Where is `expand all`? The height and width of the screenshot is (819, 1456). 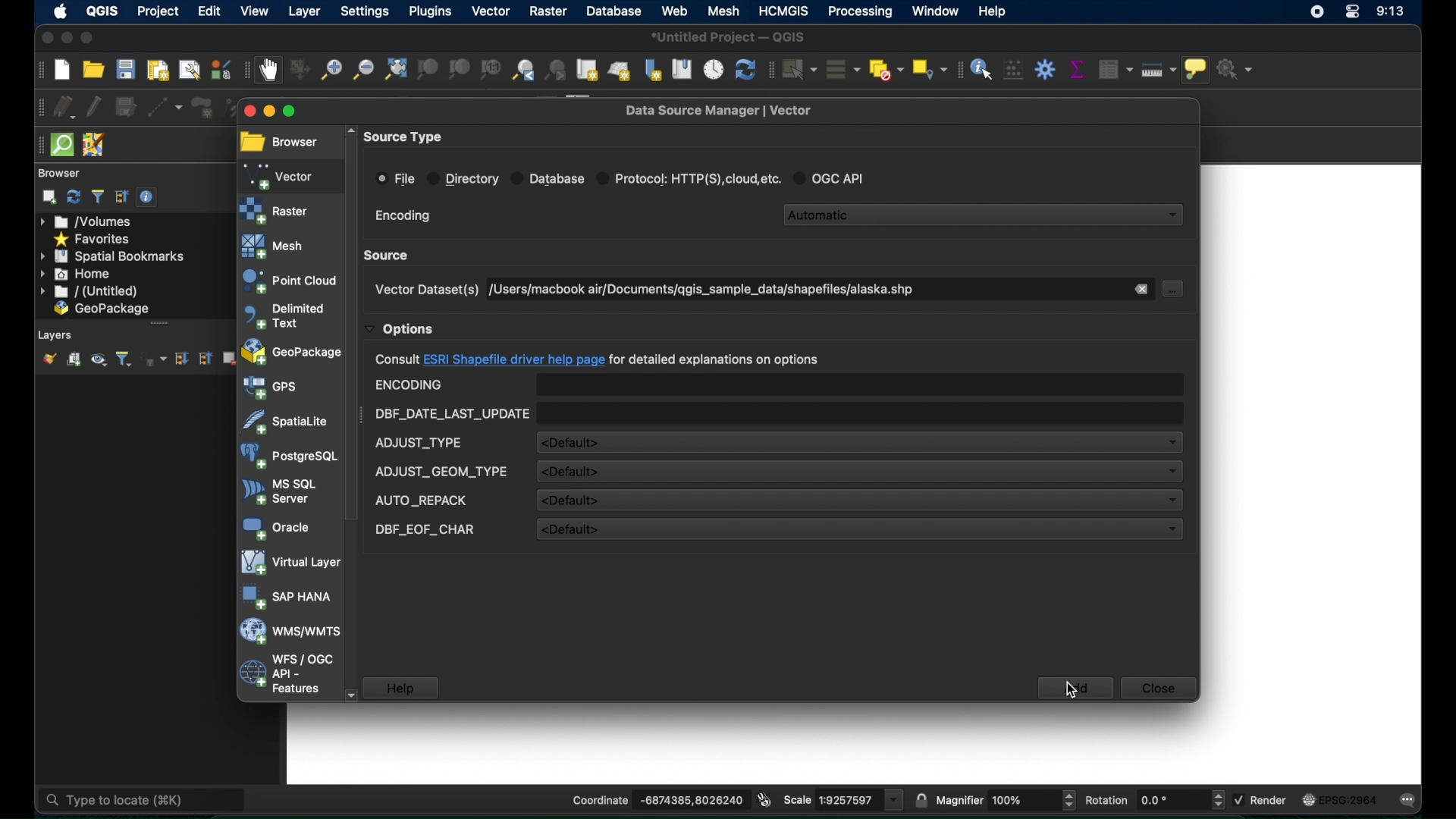 expand all is located at coordinates (180, 359).